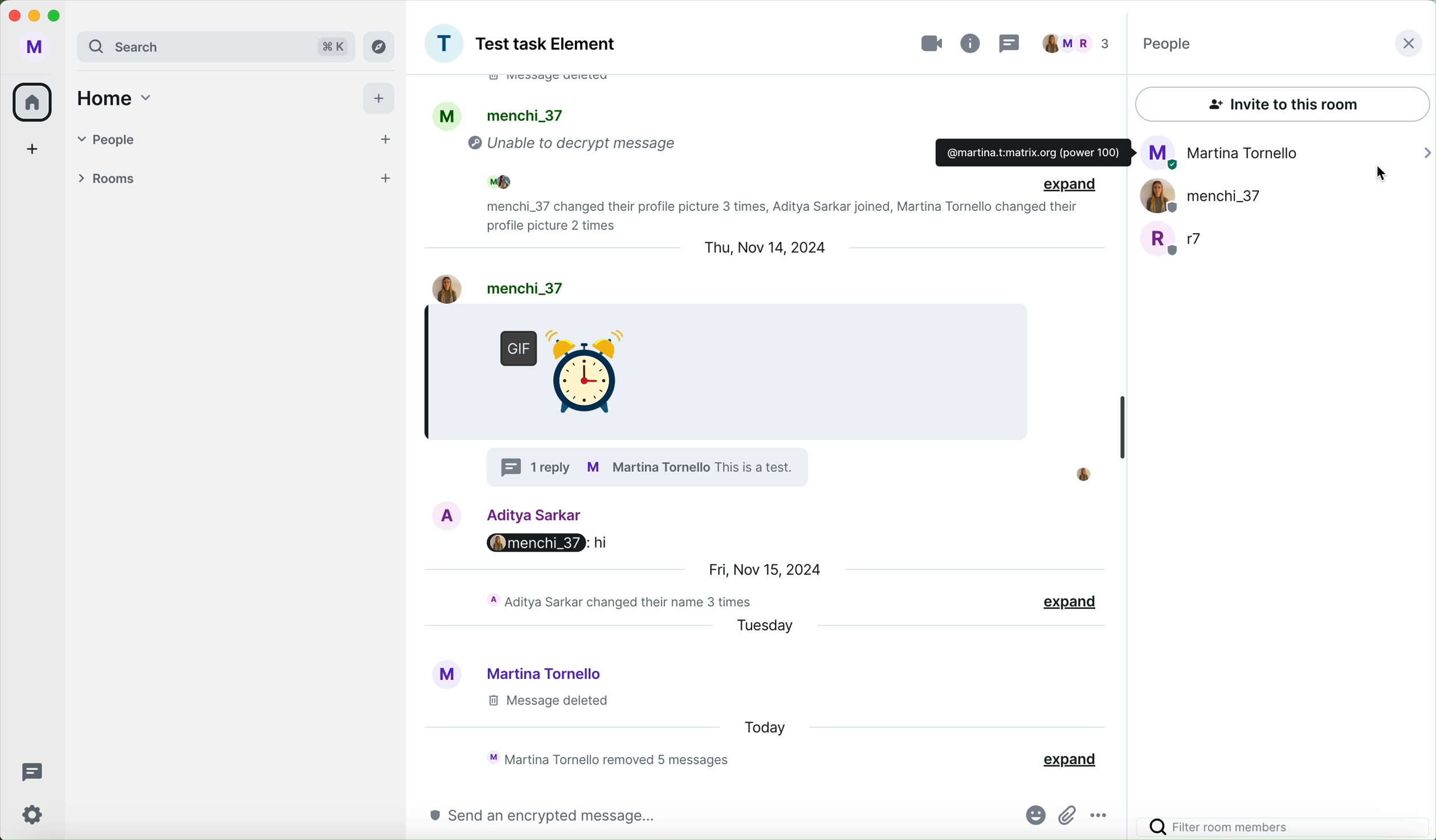  What do you see at coordinates (35, 814) in the screenshot?
I see `settings` at bounding box center [35, 814].